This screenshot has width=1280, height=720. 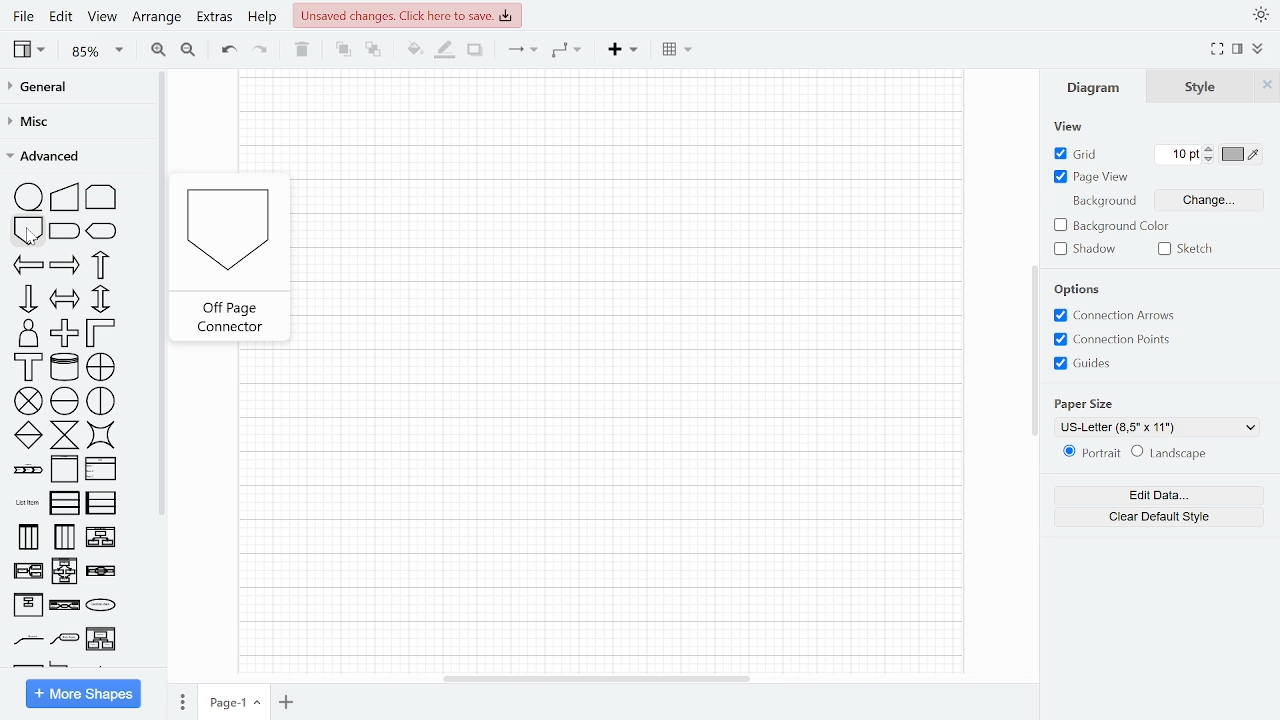 What do you see at coordinates (66, 233) in the screenshot?
I see `delay ` at bounding box center [66, 233].